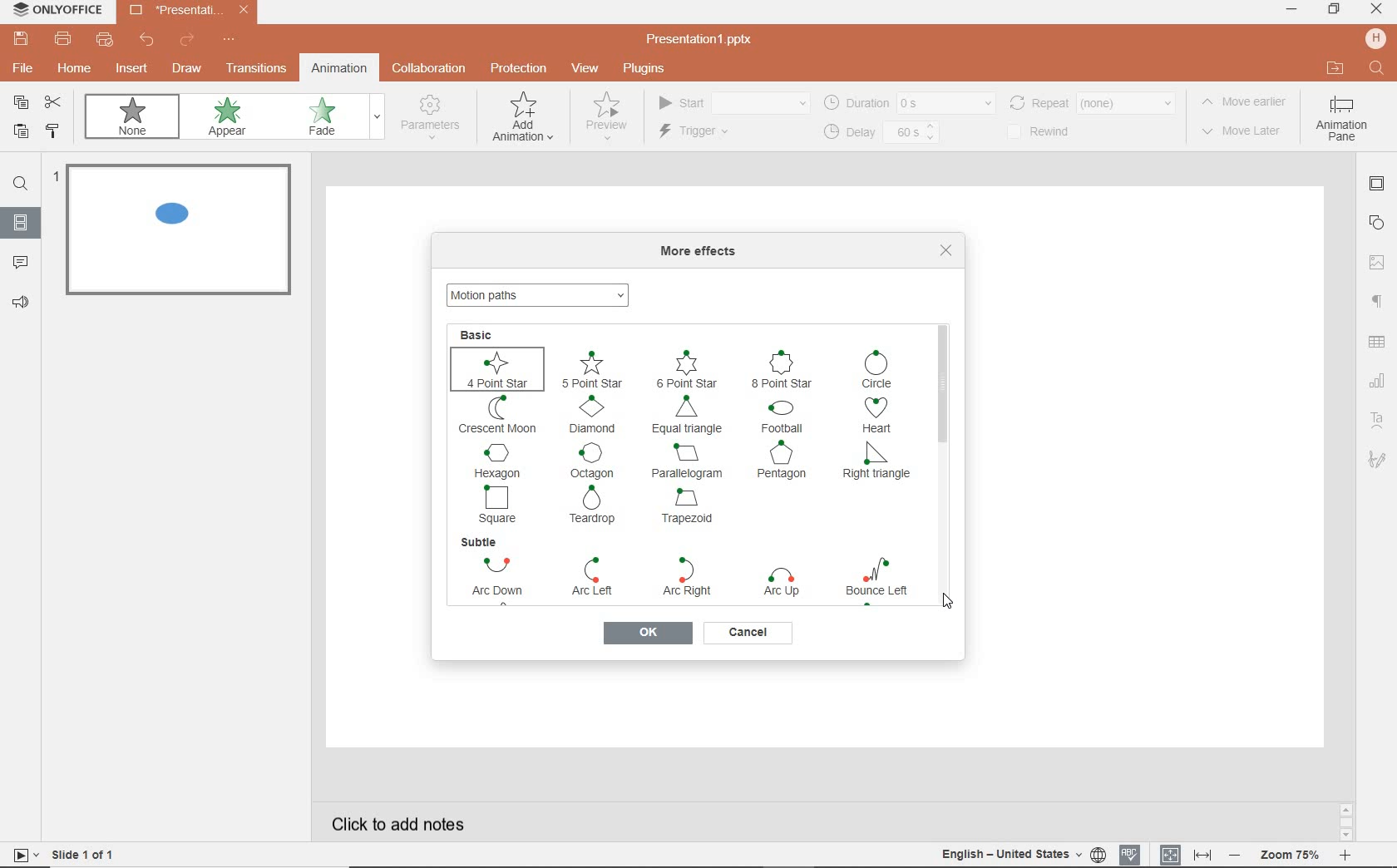  Describe the element at coordinates (76, 71) in the screenshot. I see `home` at that location.